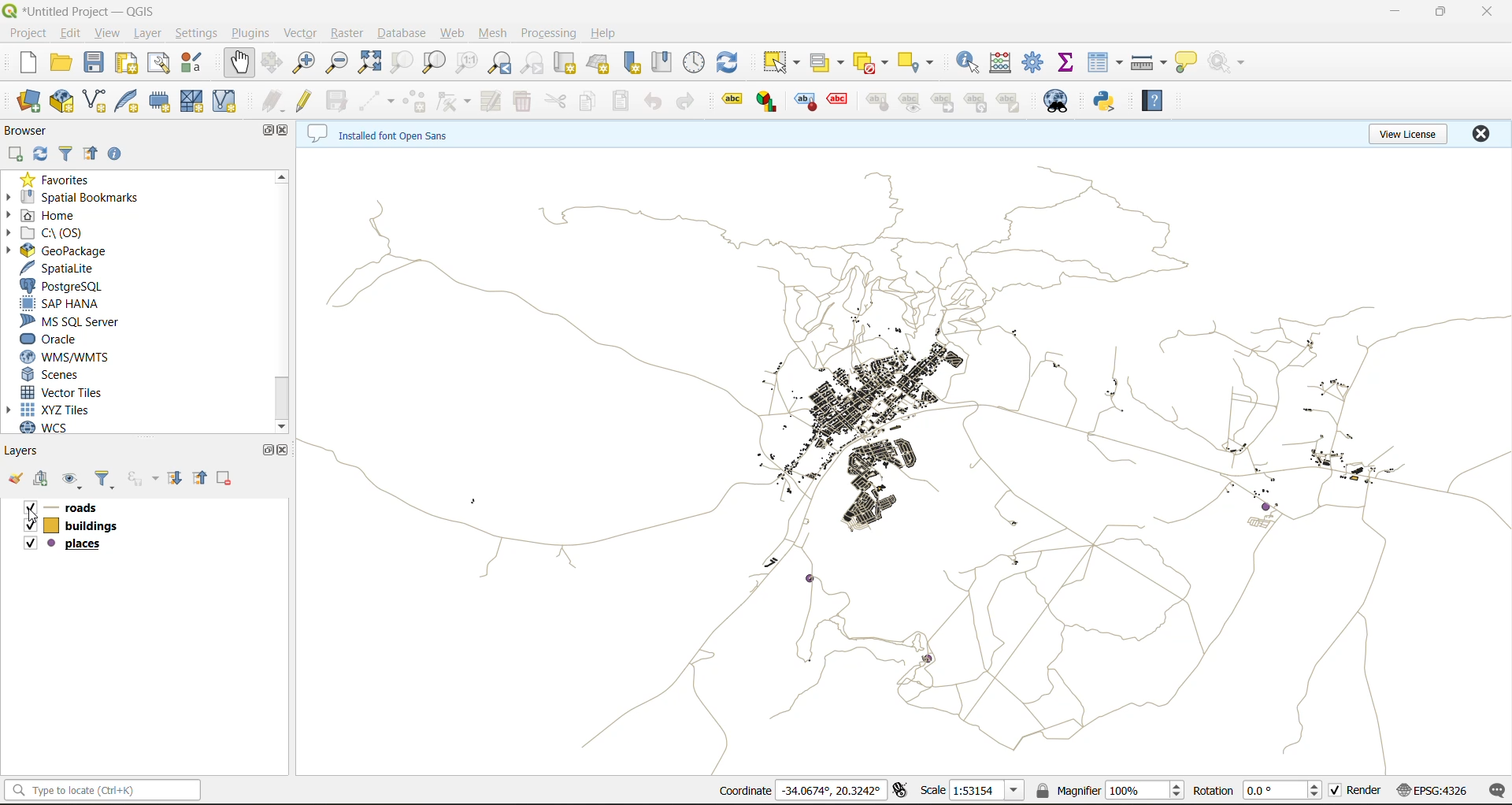  I want to click on copy, so click(589, 98).